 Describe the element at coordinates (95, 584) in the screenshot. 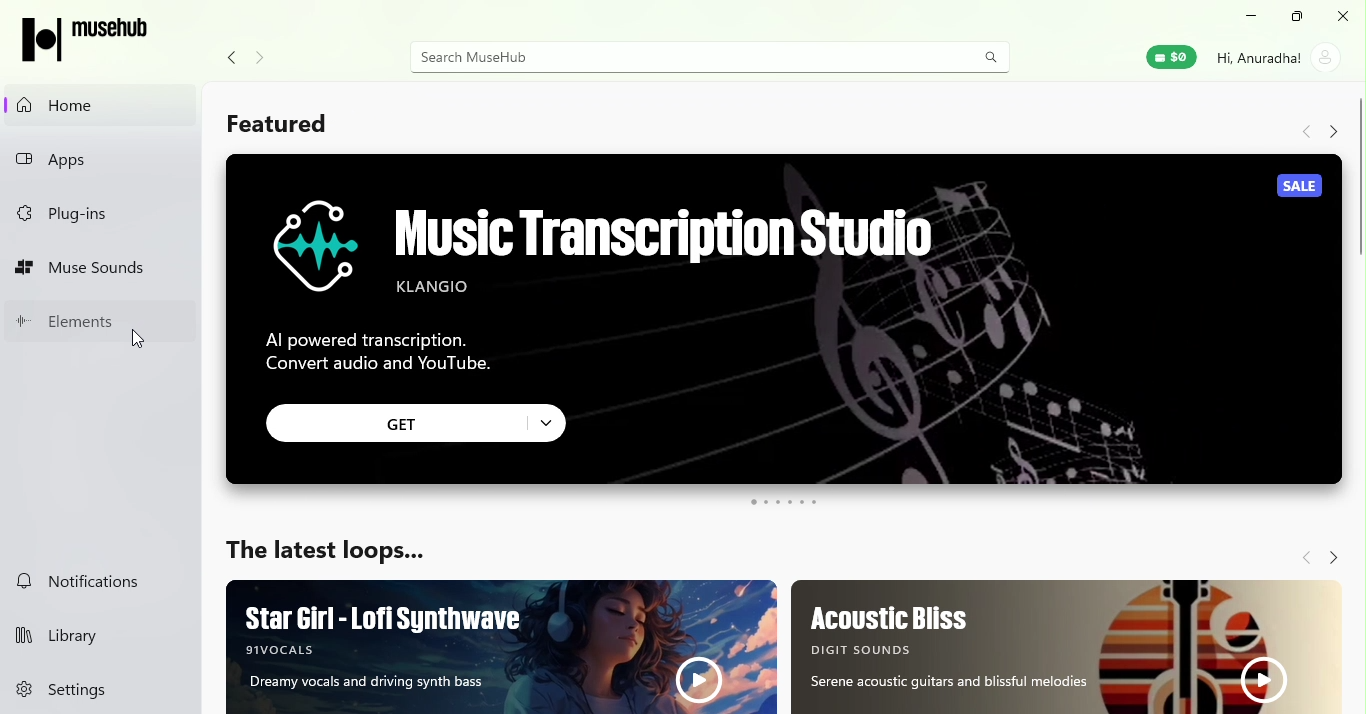

I see `Notifications` at that location.